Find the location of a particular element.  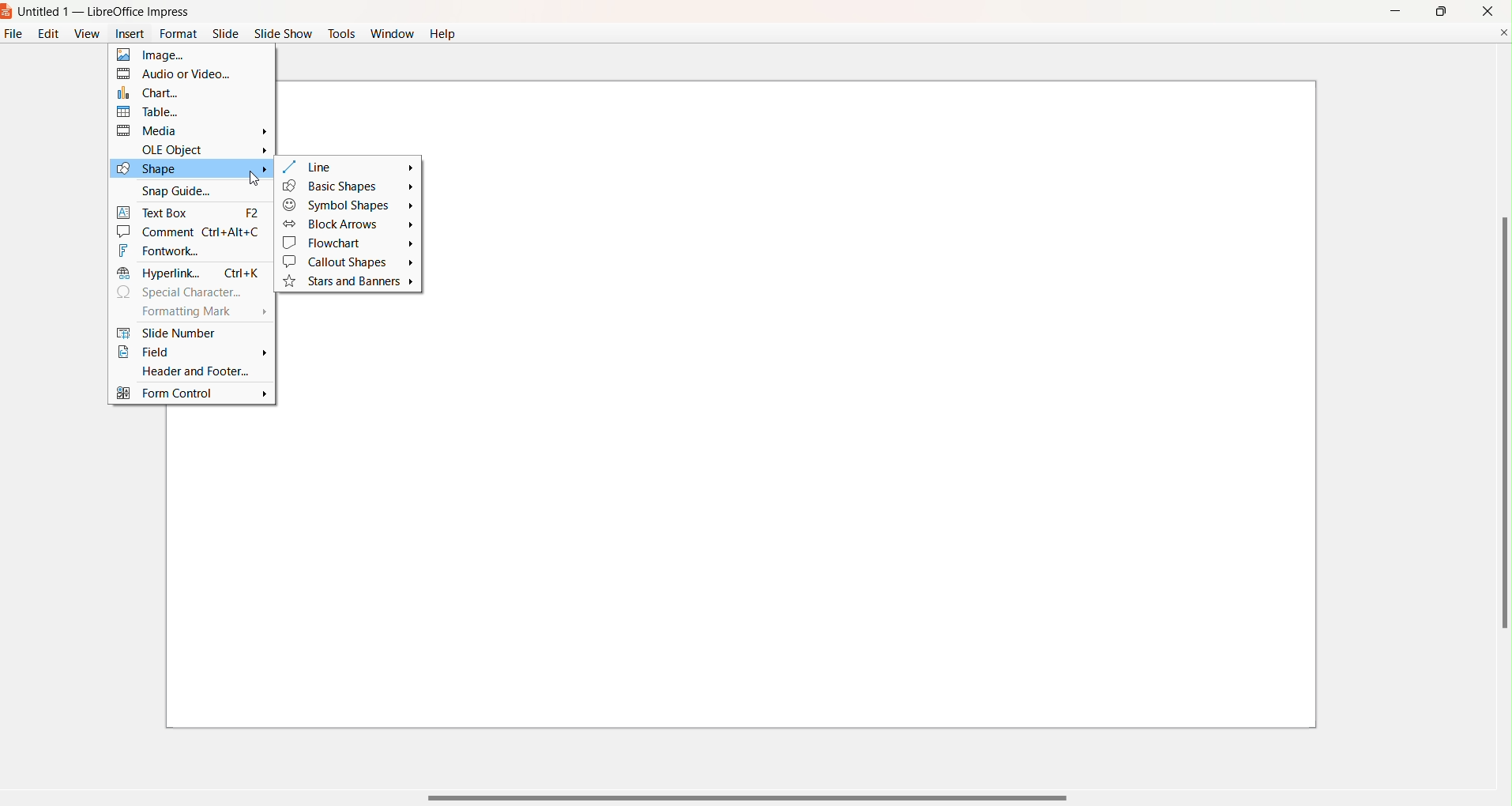

Close Document is located at coordinates (1503, 32).